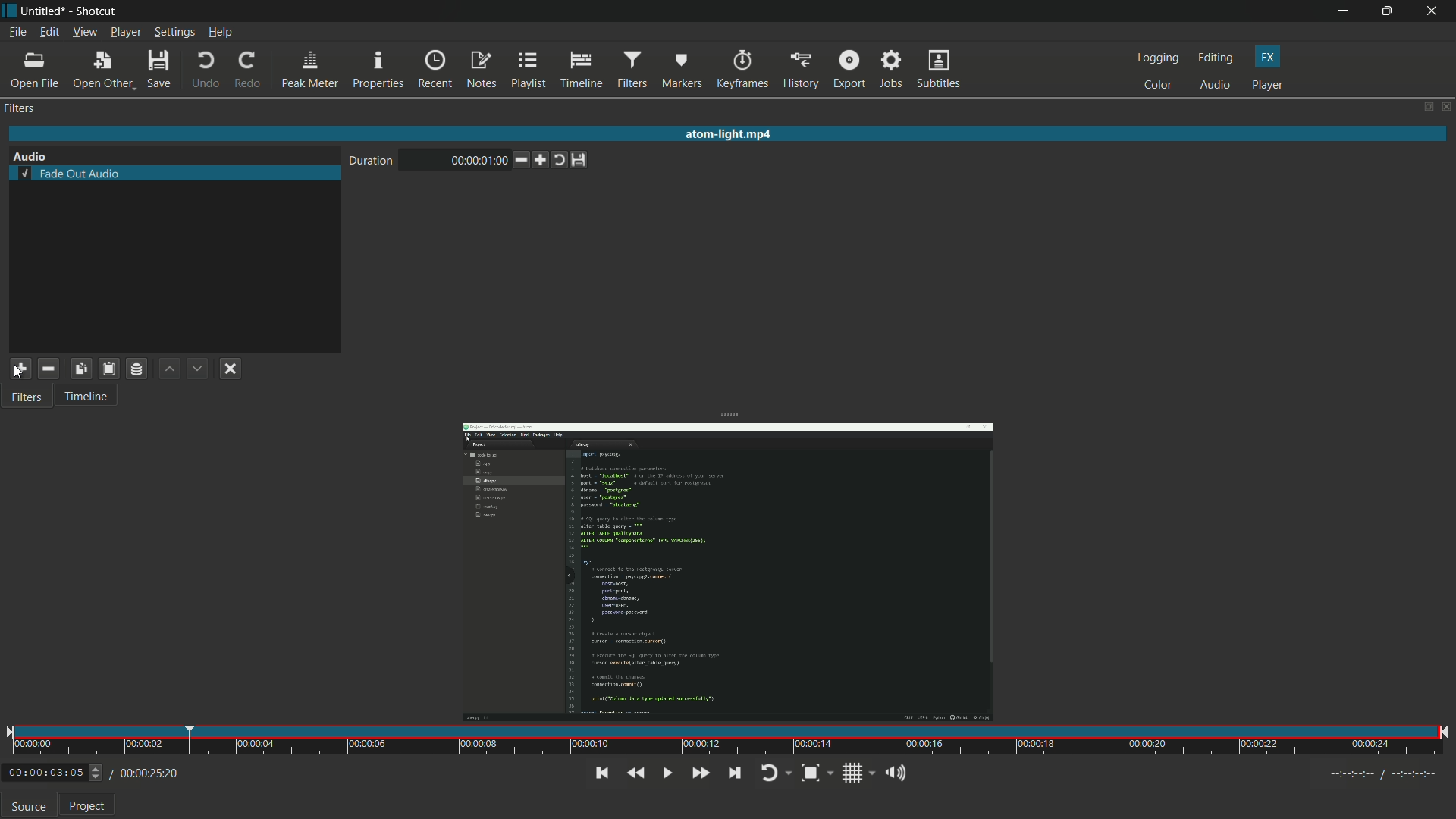  Describe the element at coordinates (147, 773) in the screenshot. I see `total time` at that location.